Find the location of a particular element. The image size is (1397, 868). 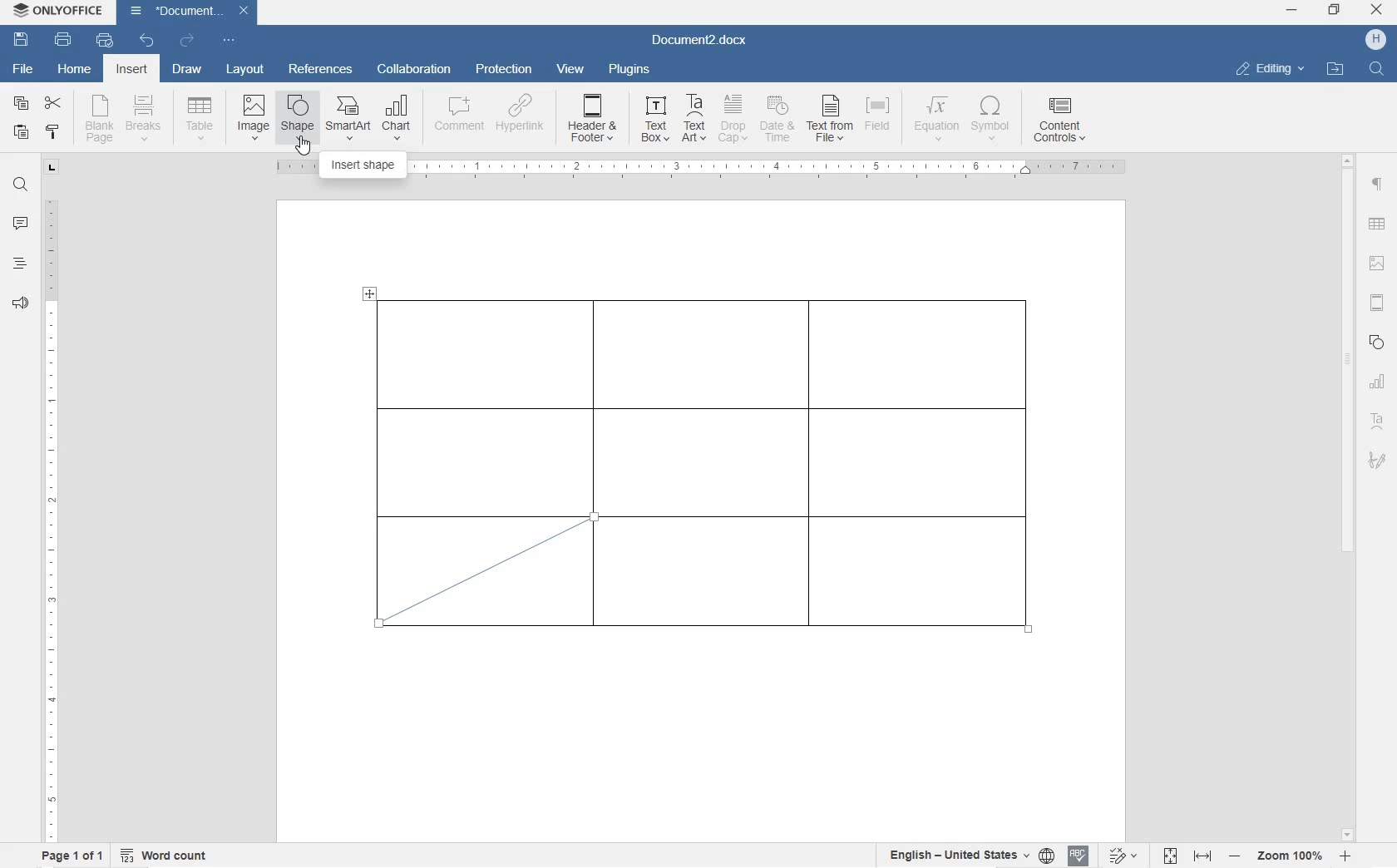

textart is located at coordinates (1376, 418).